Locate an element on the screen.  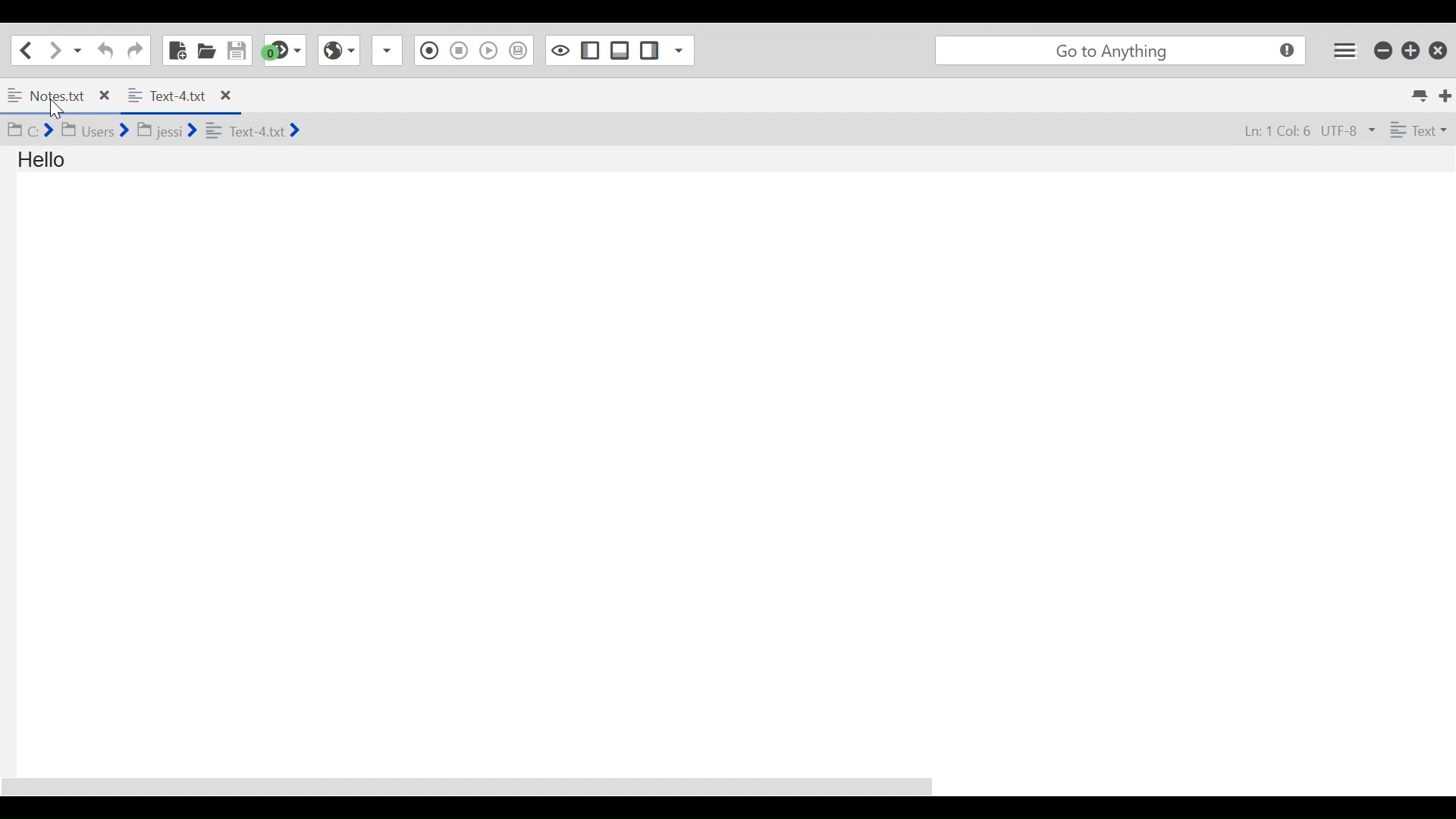
Show Specific Sidebar is located at coordinates (683, 50).